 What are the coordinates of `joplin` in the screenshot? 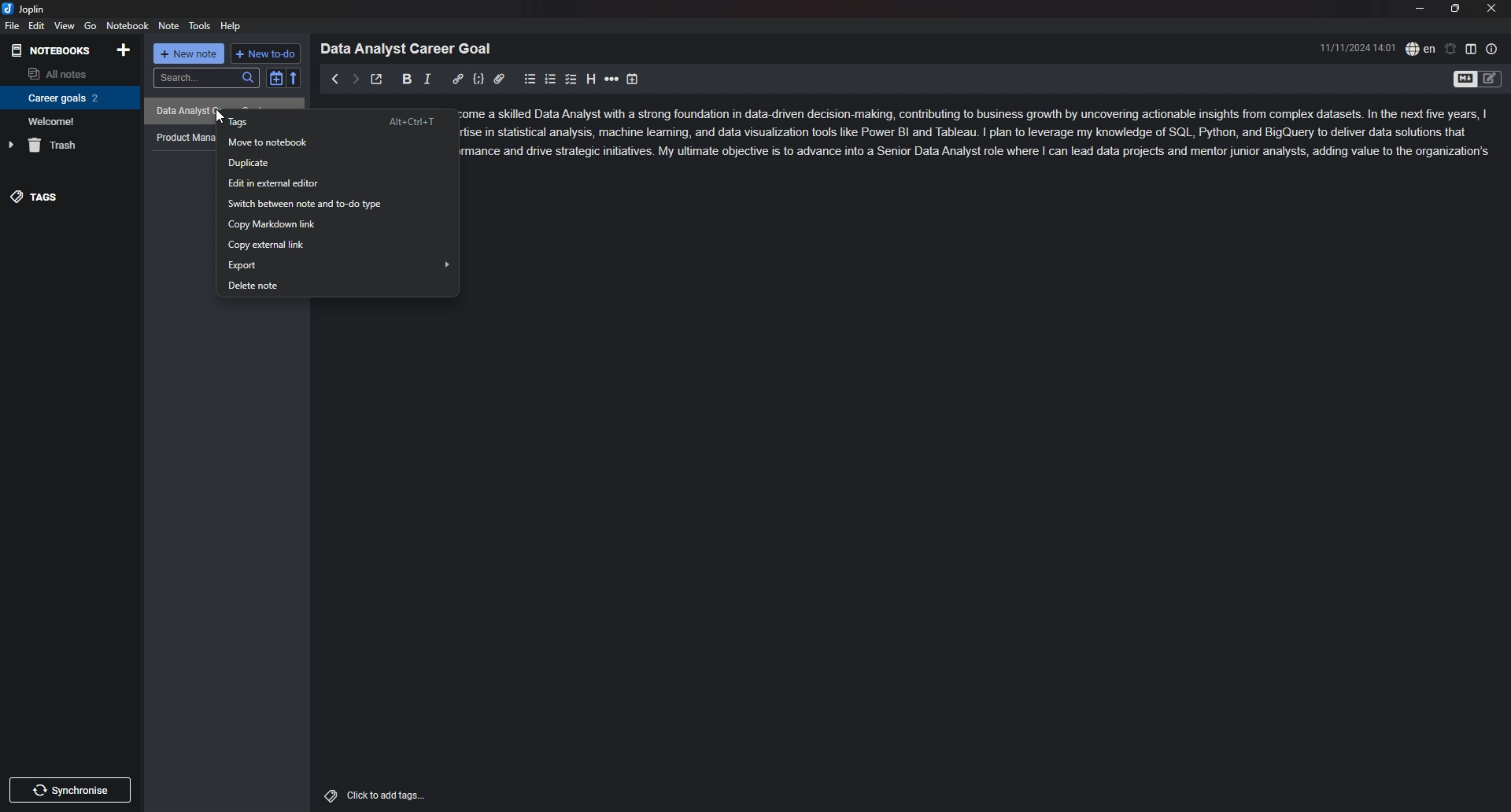 It's located at (25, 9).